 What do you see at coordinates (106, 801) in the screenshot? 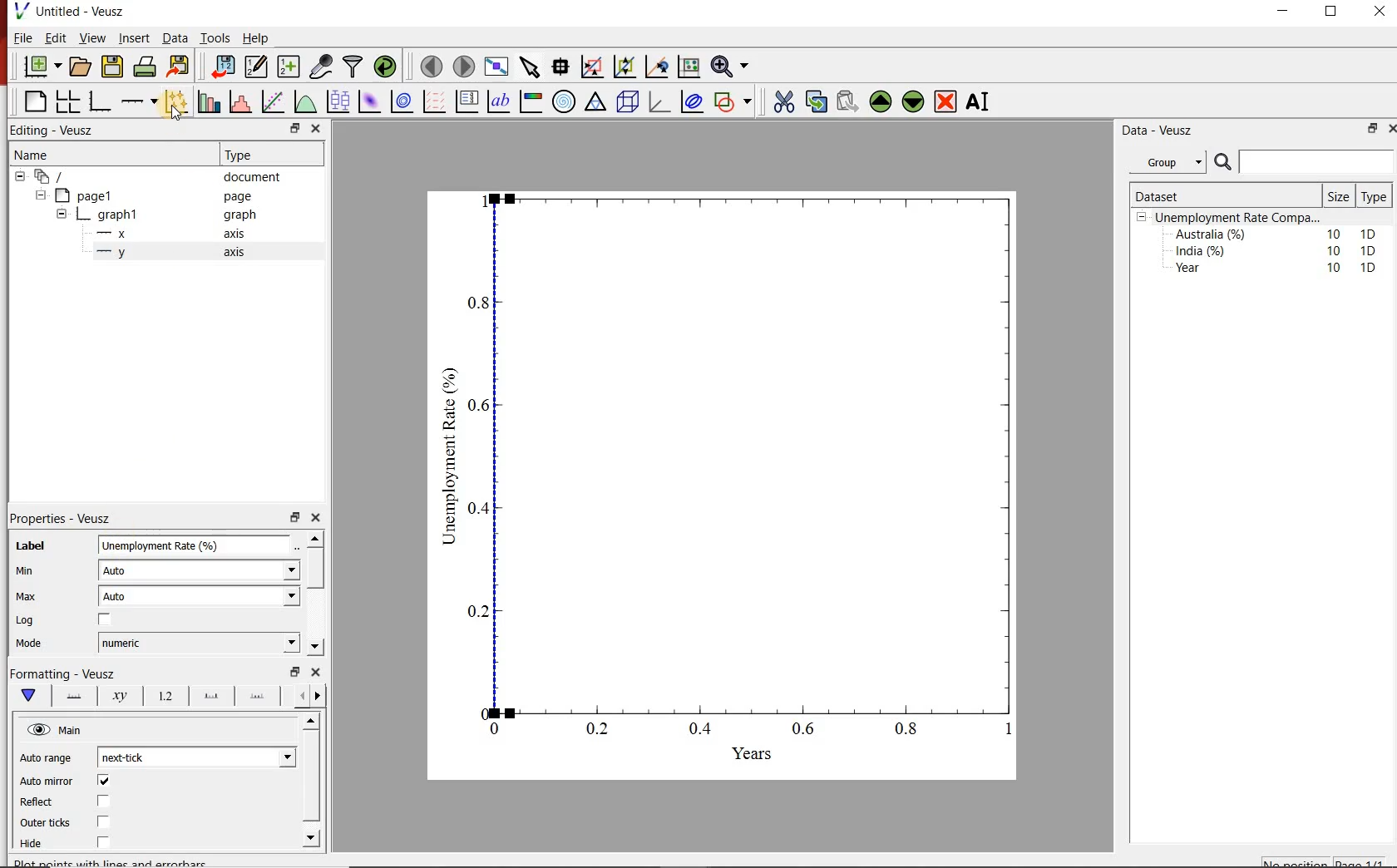
I see `checkbox` at bounding box center [106, 801].